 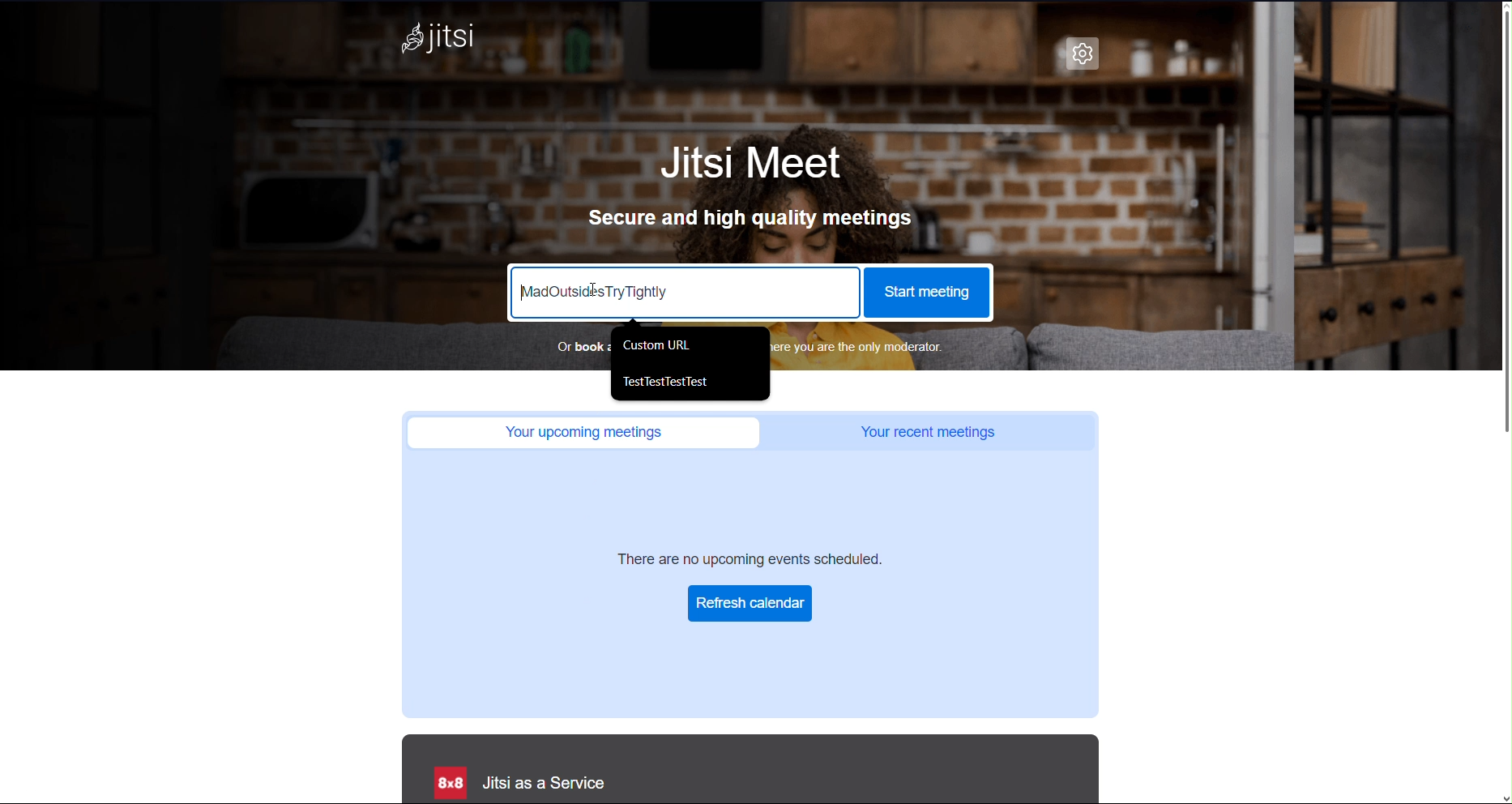 What do you see at coordinates (1084, 53) in the screenshot?
I see `Settings` at bounding box center [1084, 53].